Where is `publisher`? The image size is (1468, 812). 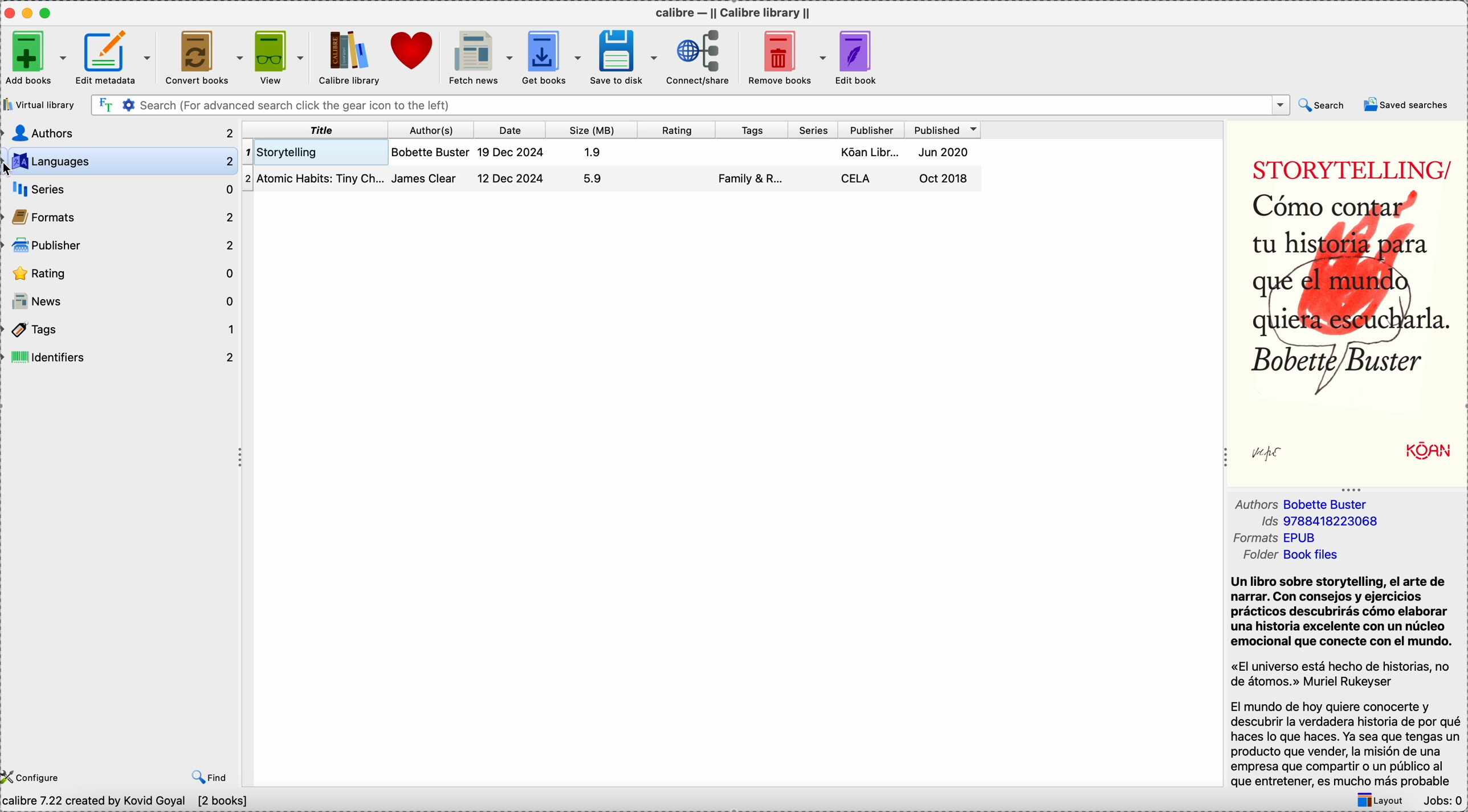 publisher is located at coordinates (871, 130).